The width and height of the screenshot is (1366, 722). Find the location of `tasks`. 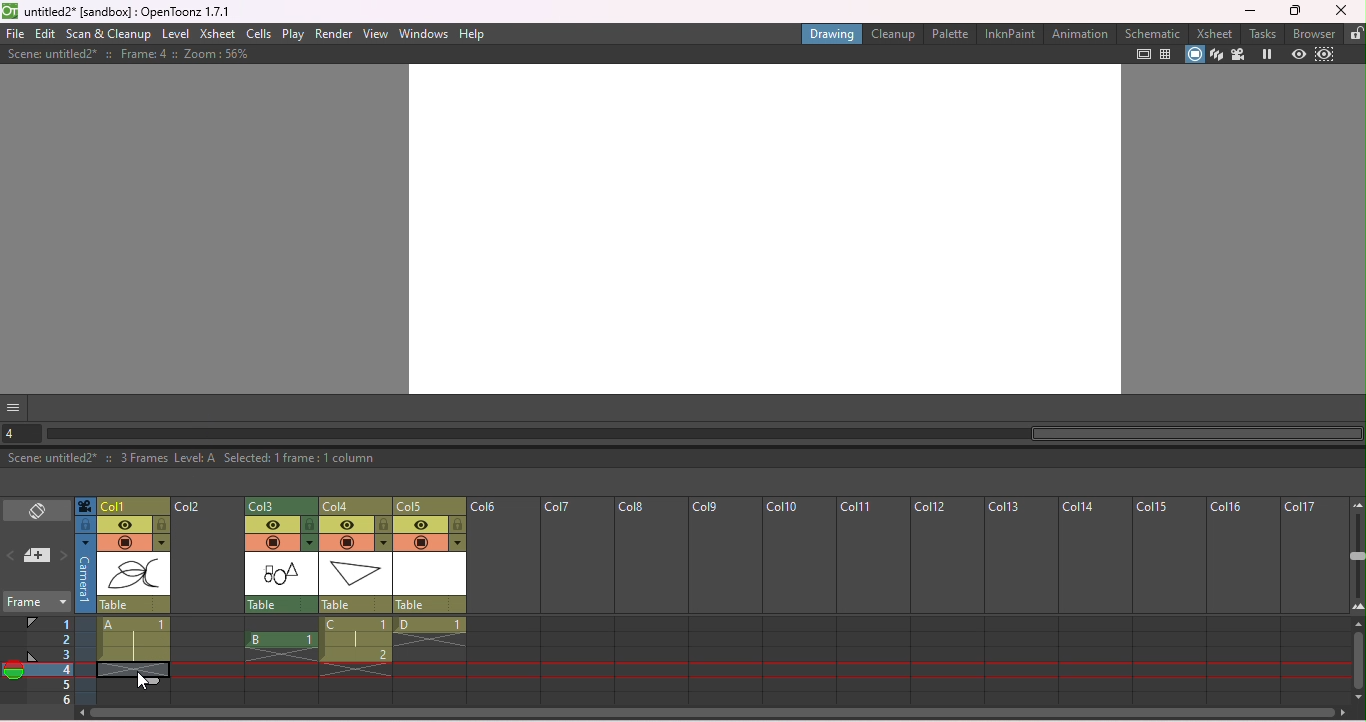

tasks is located at coordinates (1265, 33).